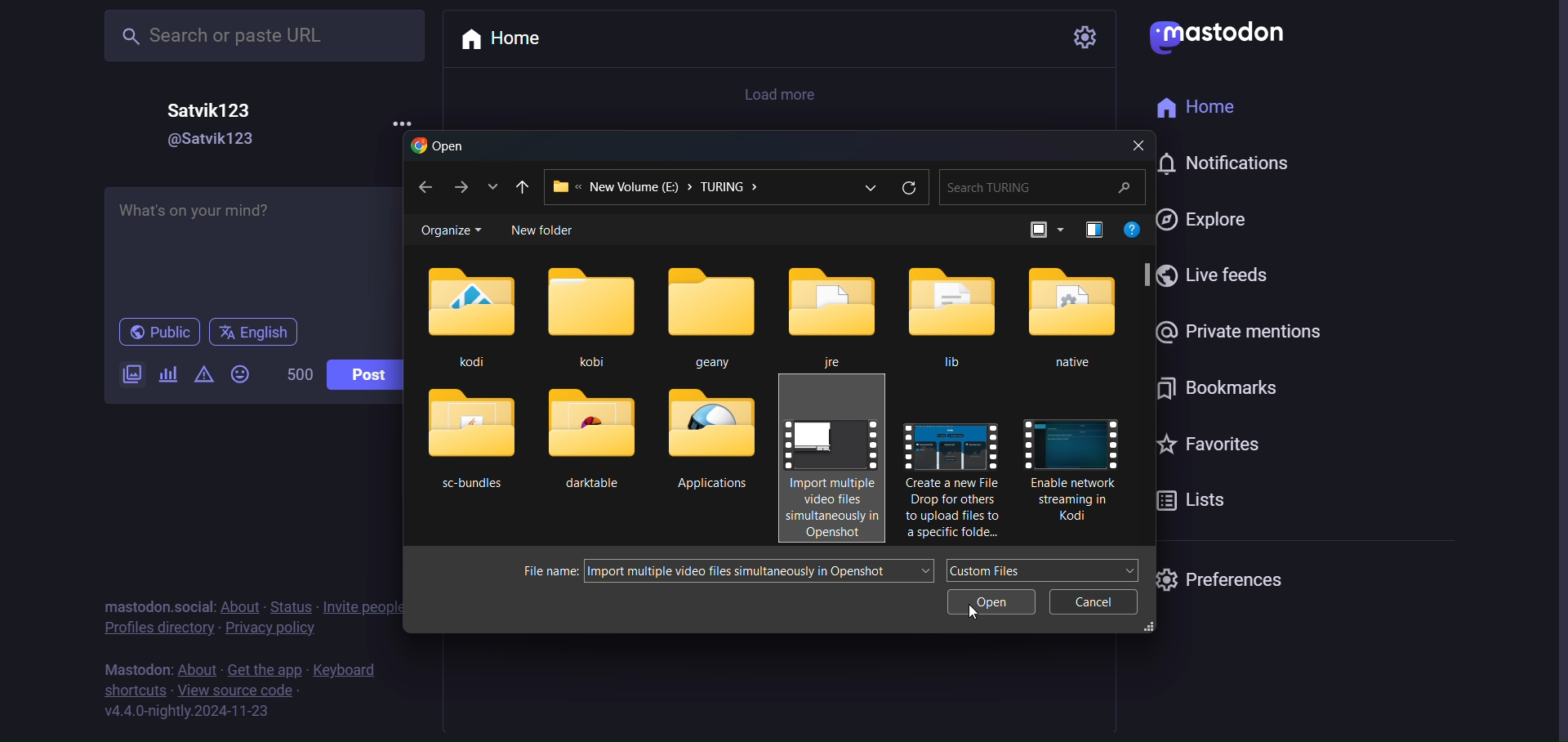 The image size is (1568, 742). I want to click on sc-bundles, so click(470, 442).